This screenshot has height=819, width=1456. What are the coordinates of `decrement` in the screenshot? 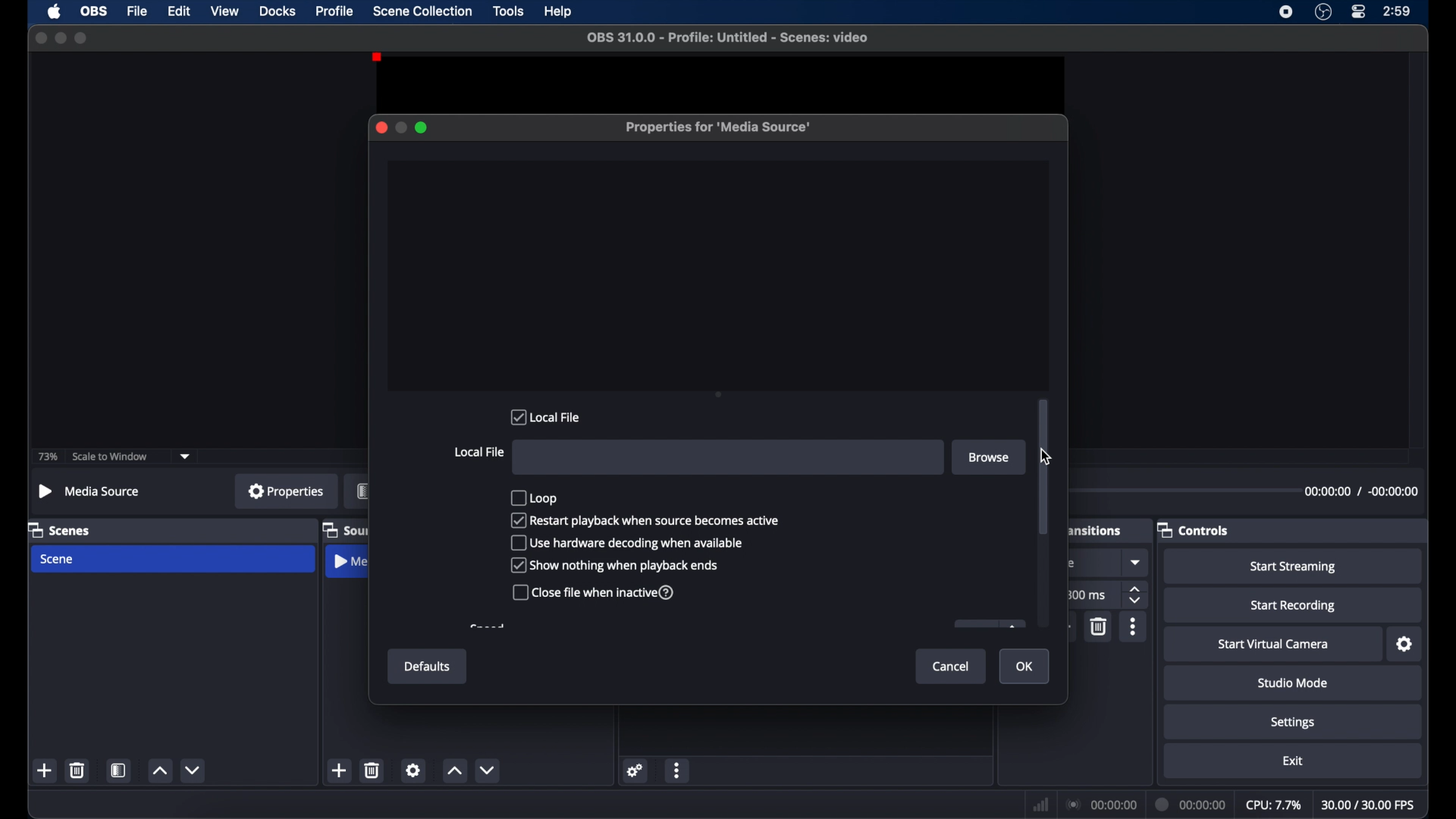 It's located at (194, 770).